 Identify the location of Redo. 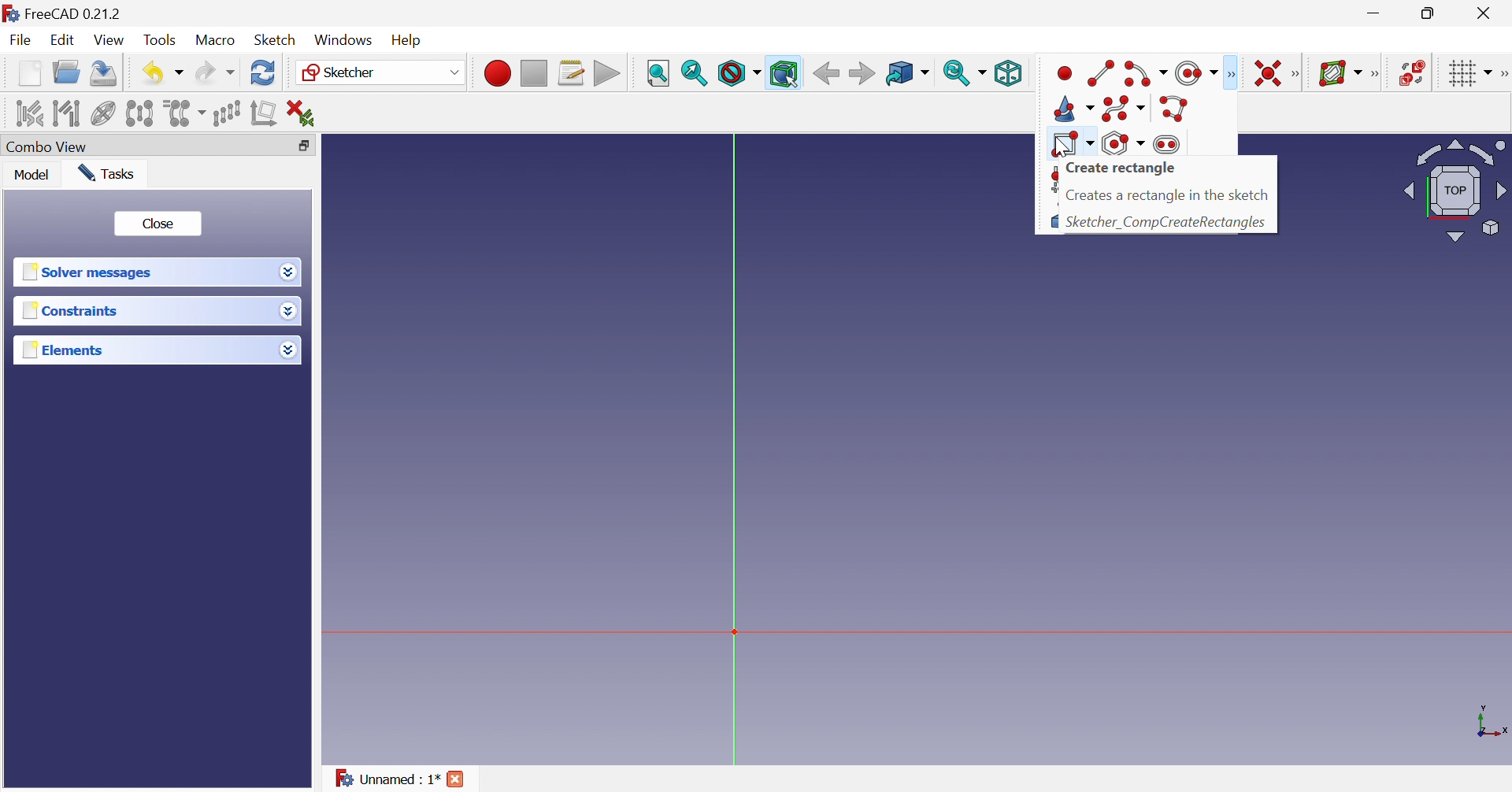
(213, 72).